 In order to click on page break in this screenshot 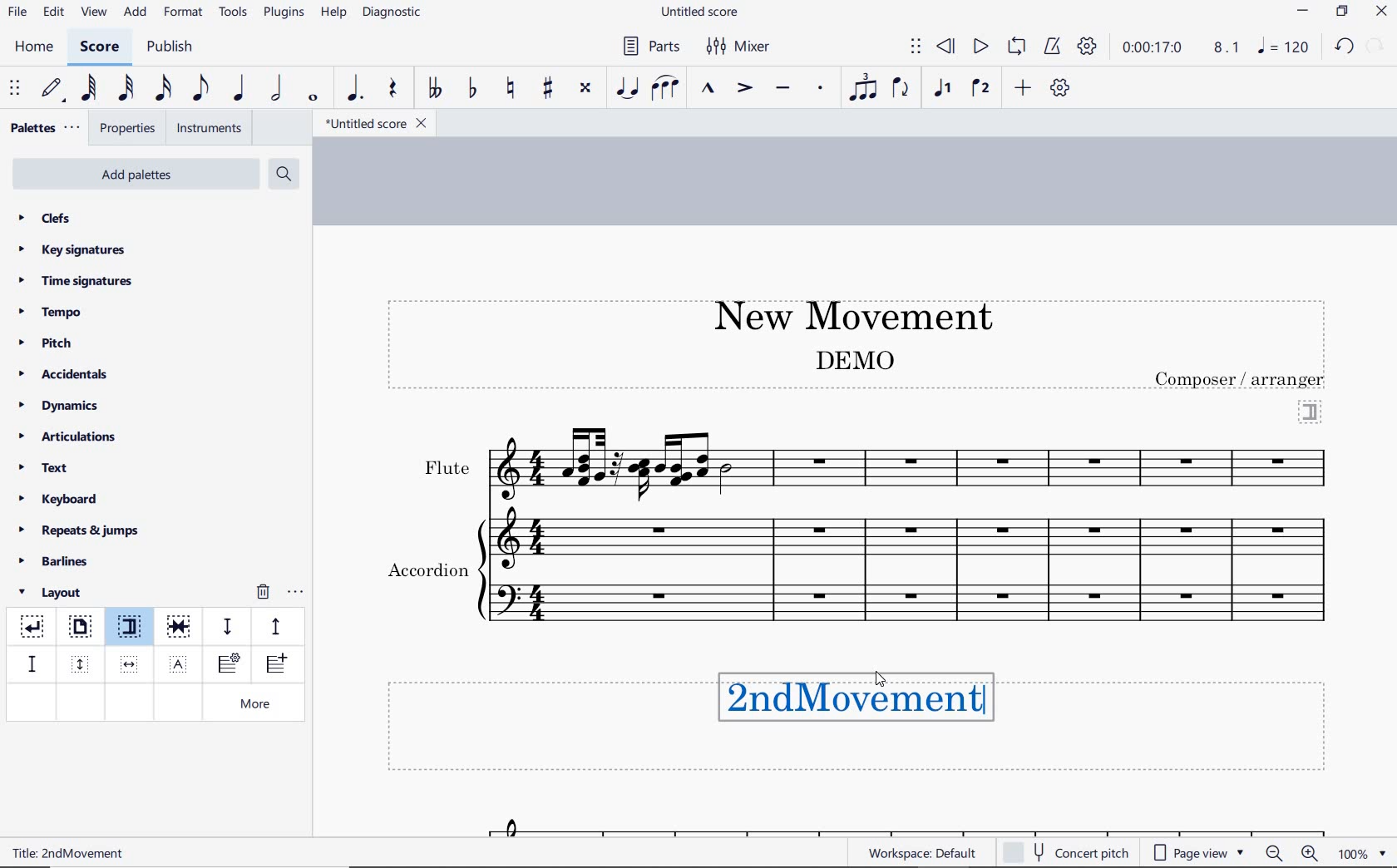, I will do `click(79, 629)`.